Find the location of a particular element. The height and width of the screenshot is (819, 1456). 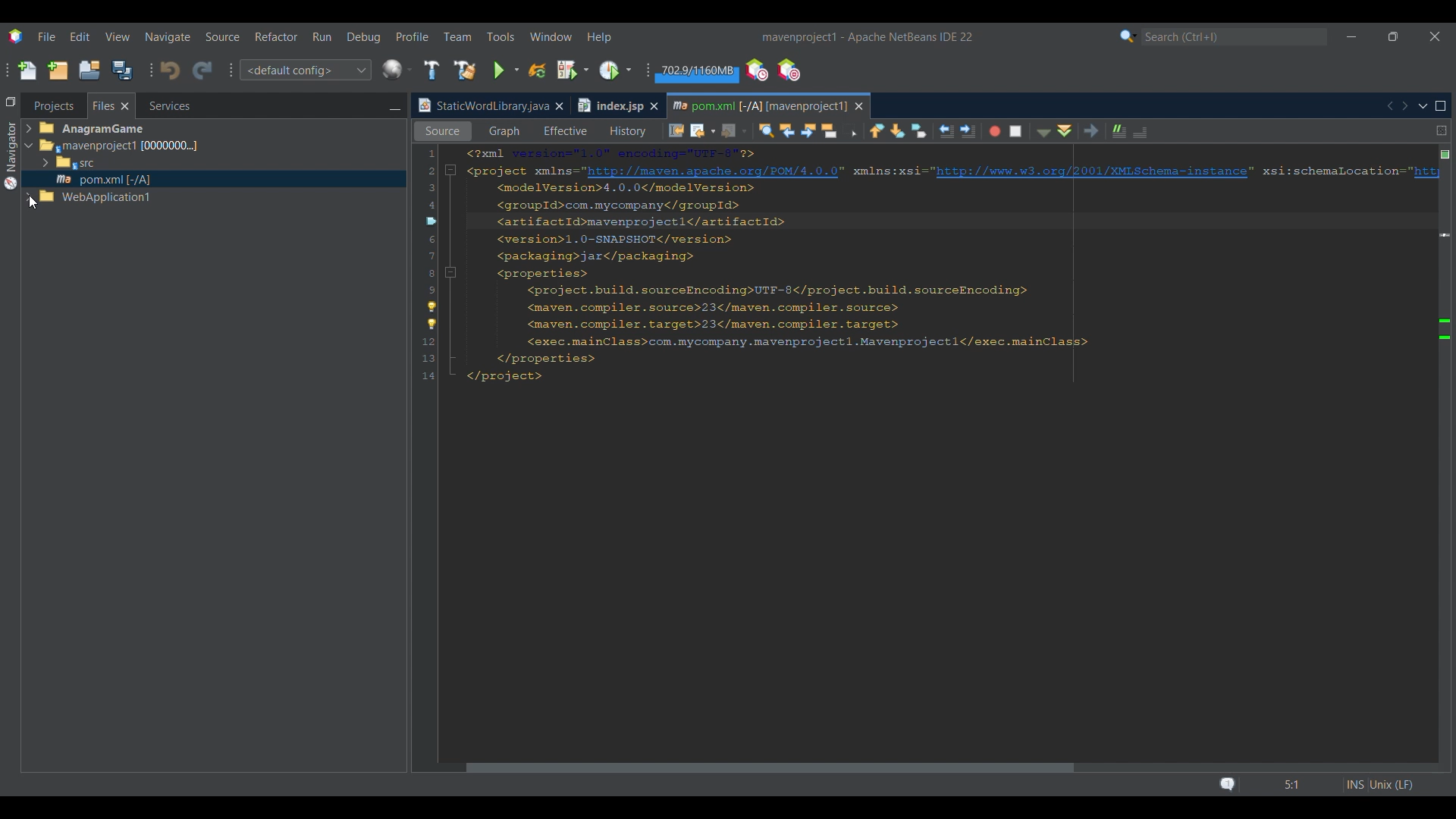

Profile main project options is located at coordinates (617, 70).